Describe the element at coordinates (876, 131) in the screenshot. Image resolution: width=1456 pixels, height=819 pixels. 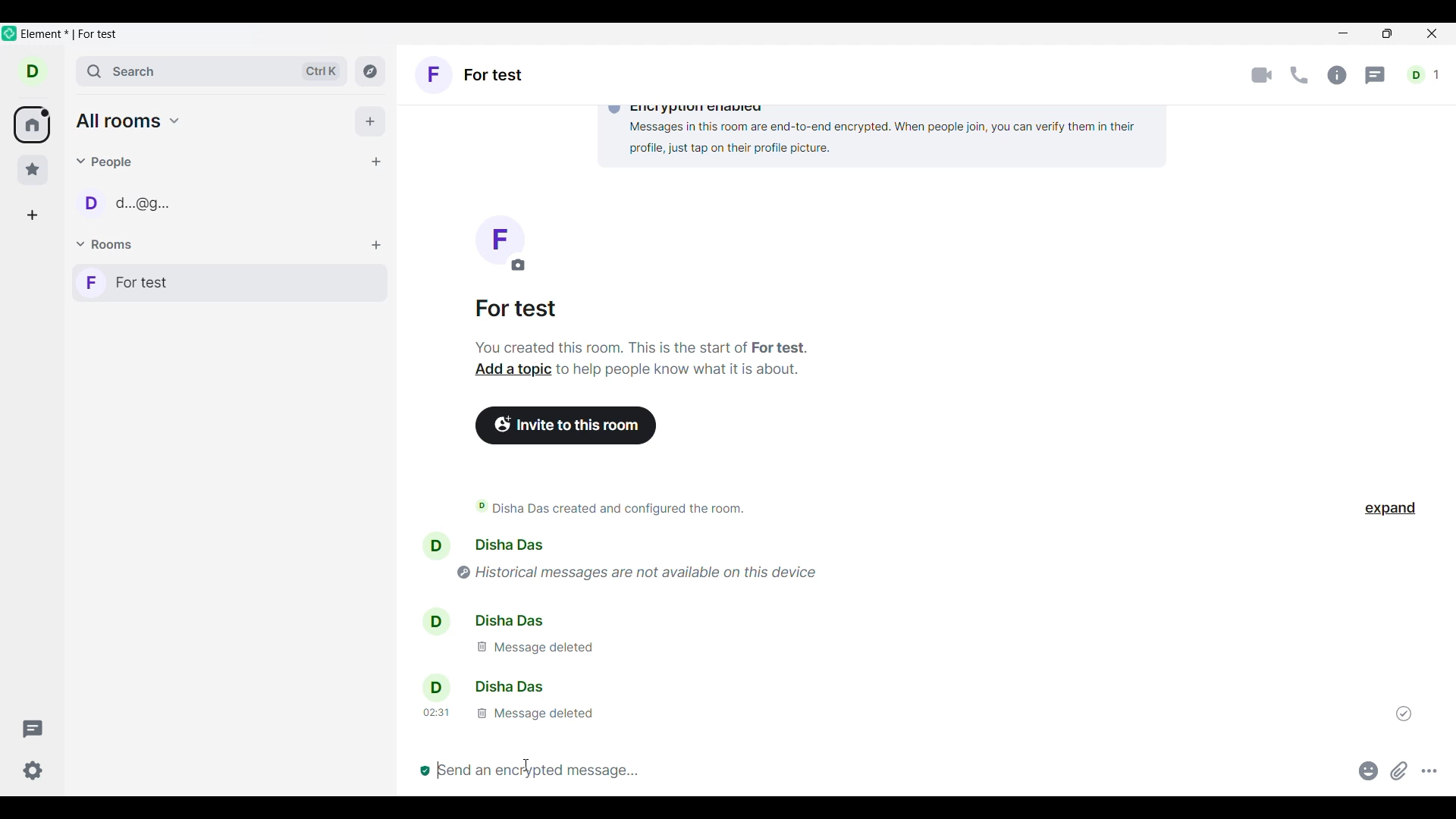
I see `Encryption enabled Messages in this room are end-to-end encrypted. When people join, you can verify them in their profile, just tap on their profile picture.` at that location.